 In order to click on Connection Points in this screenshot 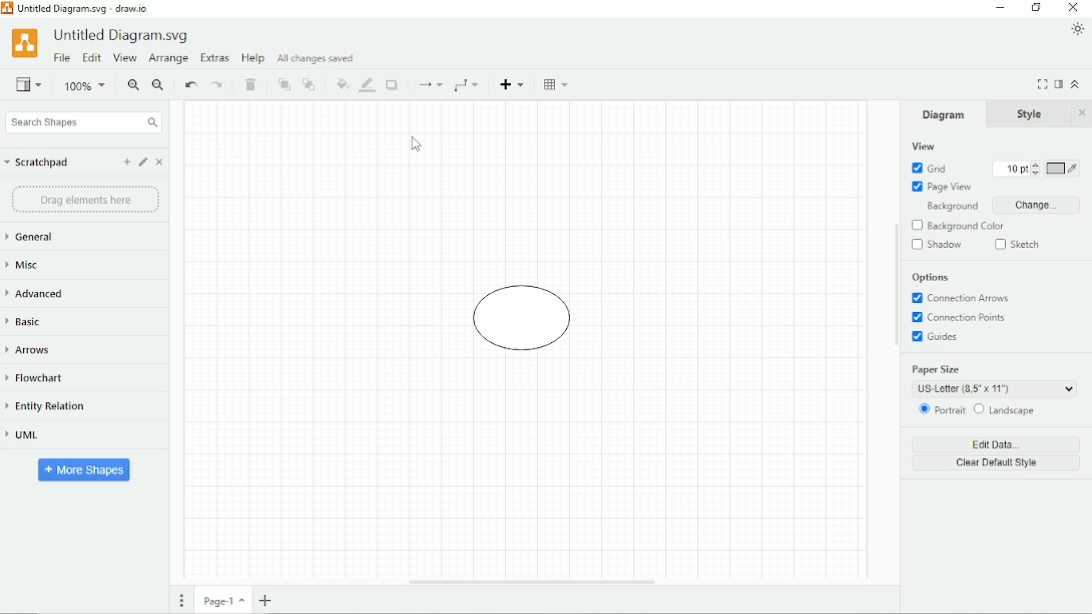, I will do `click(963, 317)`.